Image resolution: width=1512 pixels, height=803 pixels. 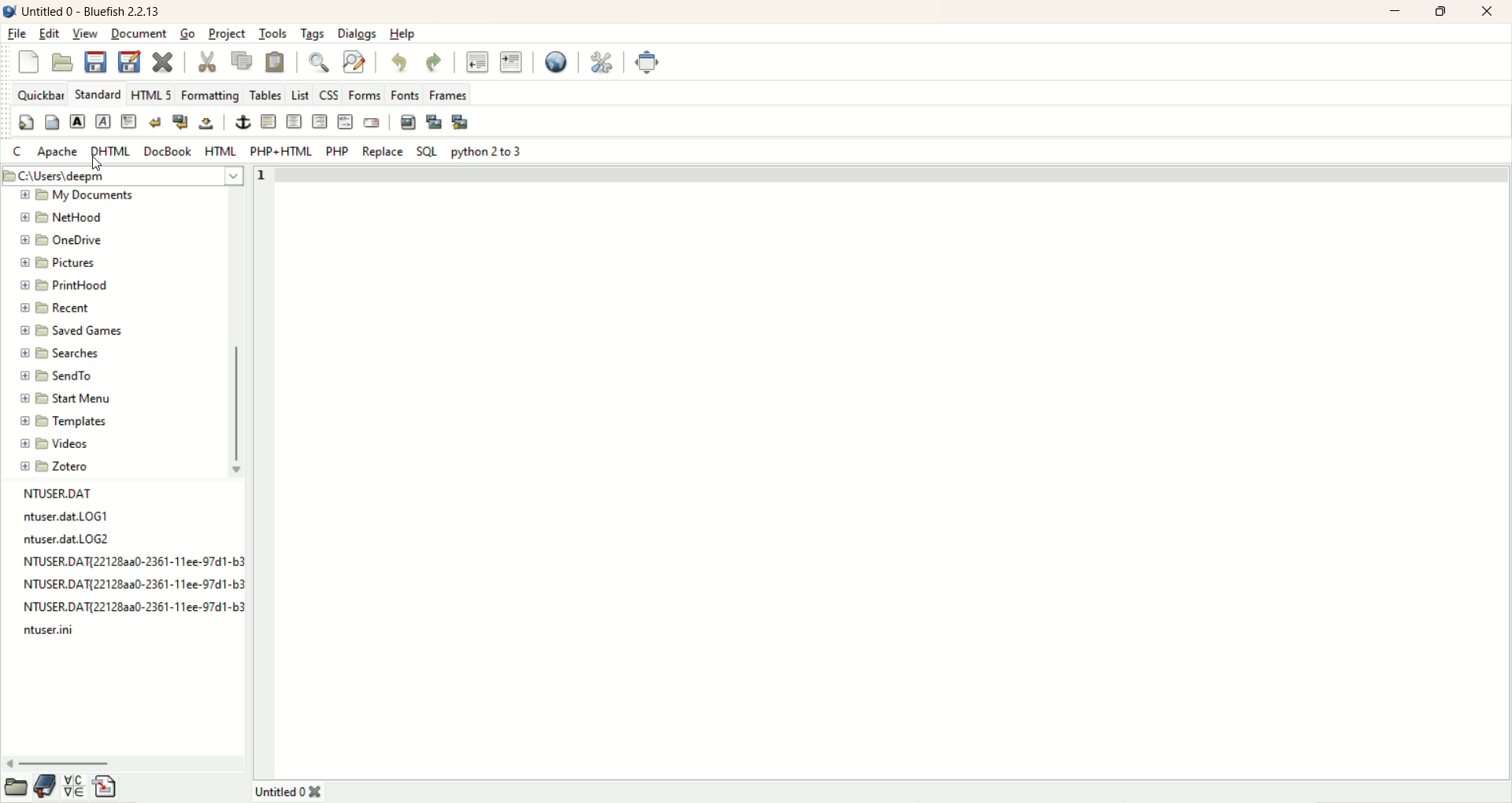 I want to click on break, so click(x=154, y=121).